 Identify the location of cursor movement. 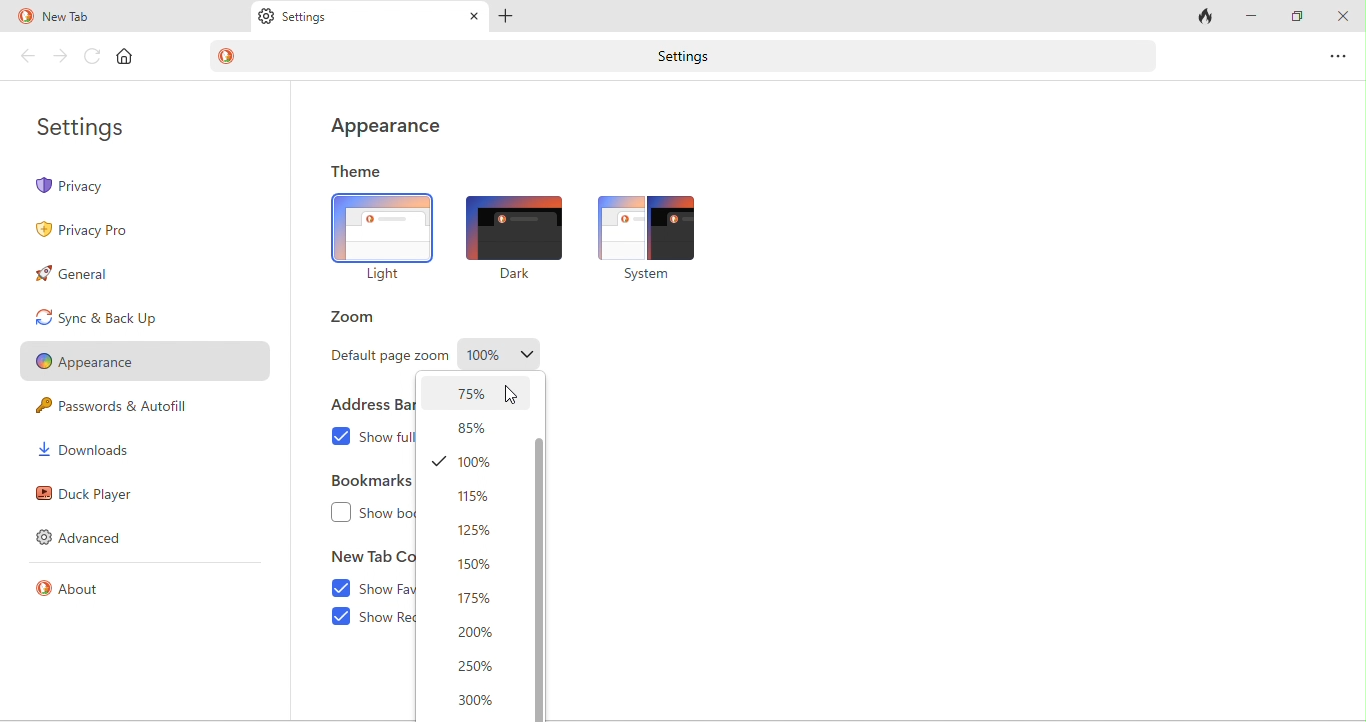
(510, 394).